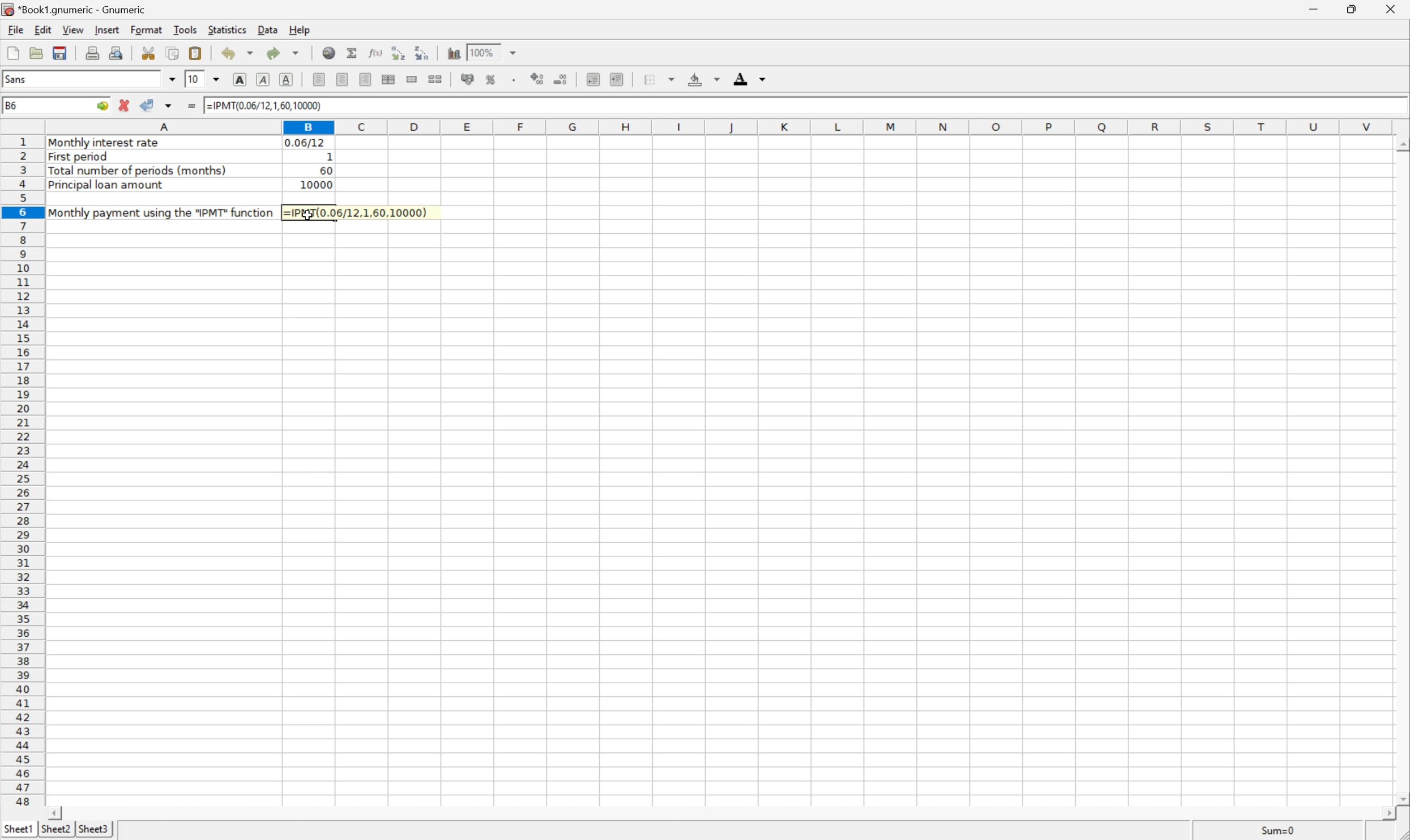  I want to click on Decrease indent, and align the contents to the left, so click(592, 79).